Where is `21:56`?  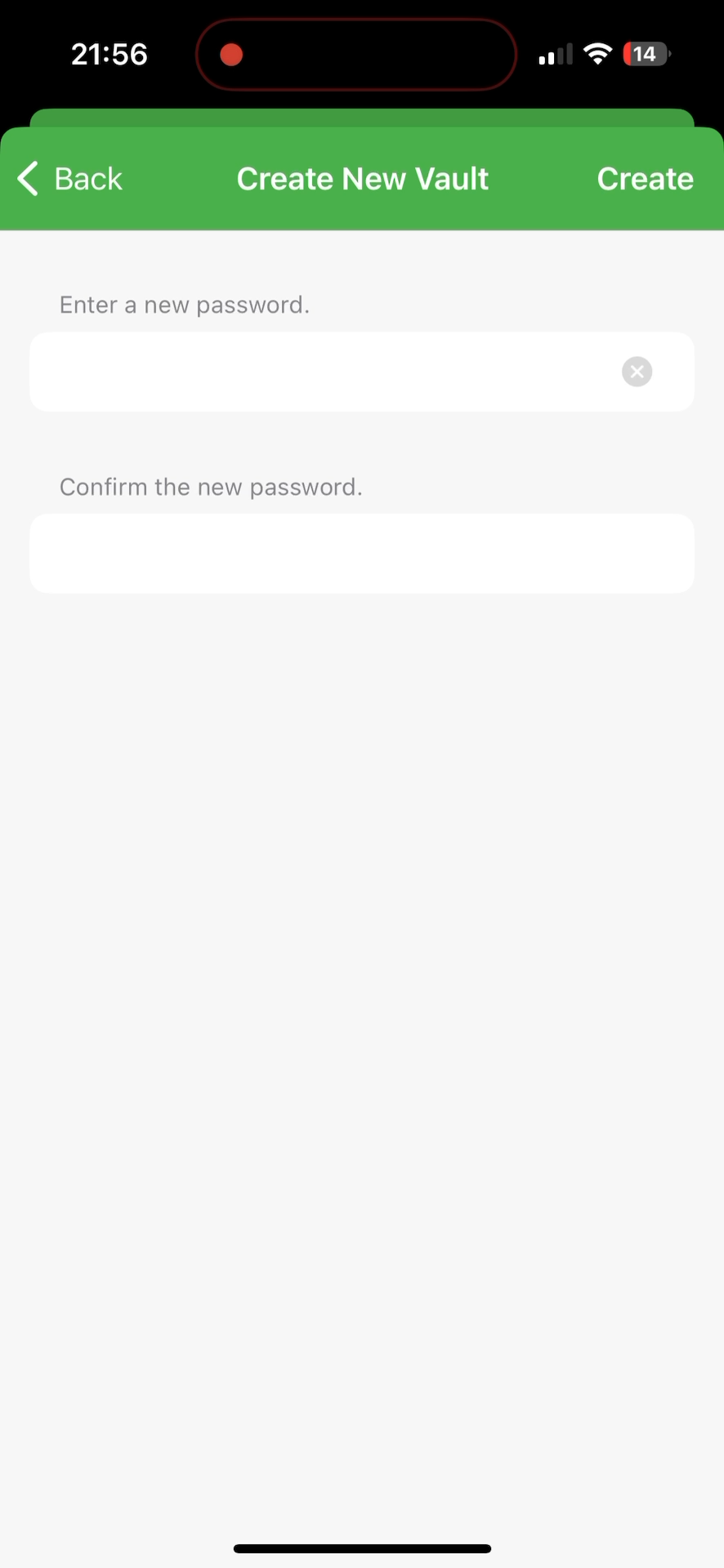 21:56 is located at coordinates (107, 57).